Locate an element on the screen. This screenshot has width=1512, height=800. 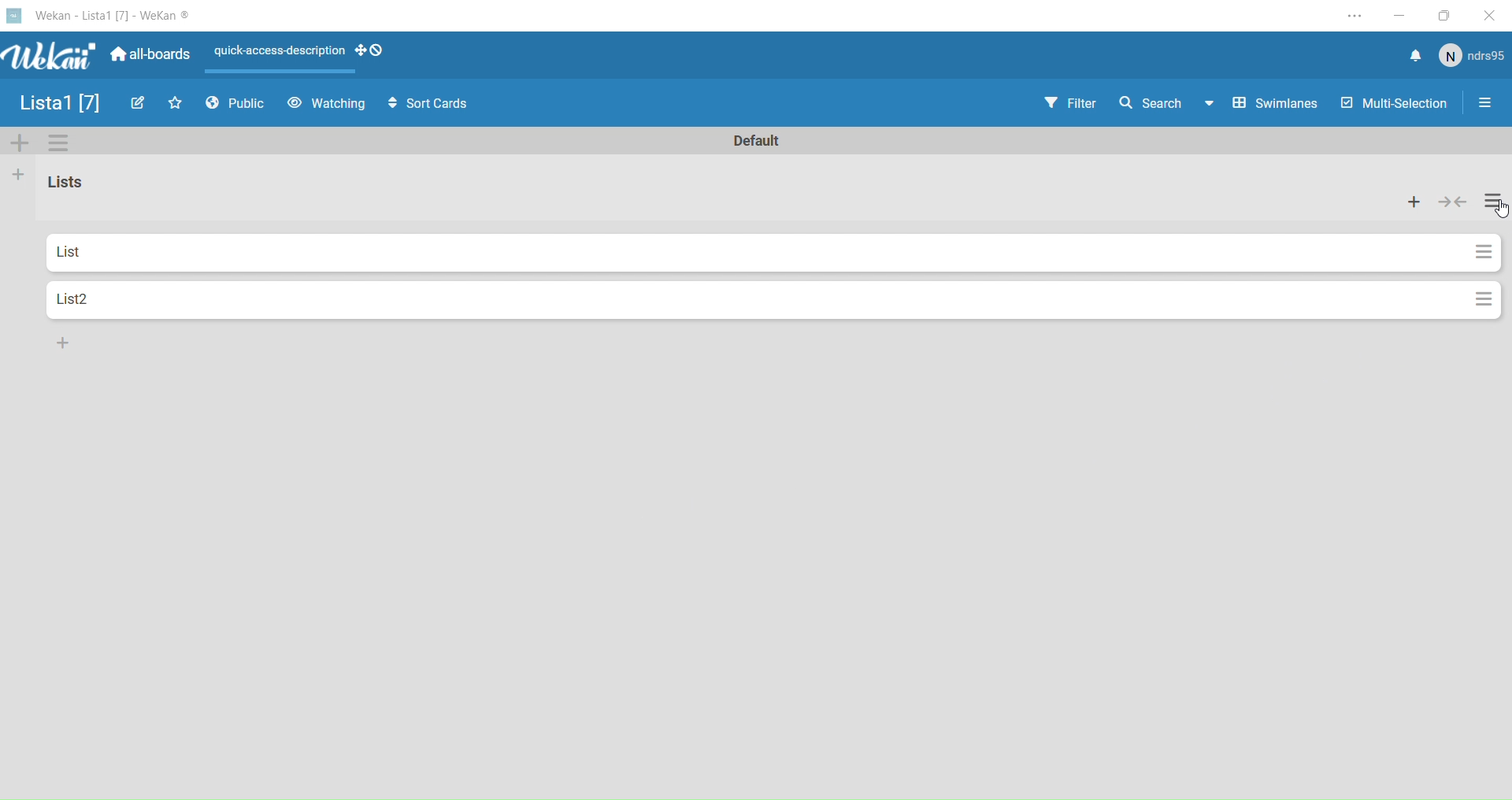
Edit is located at coordinates (137, 106).